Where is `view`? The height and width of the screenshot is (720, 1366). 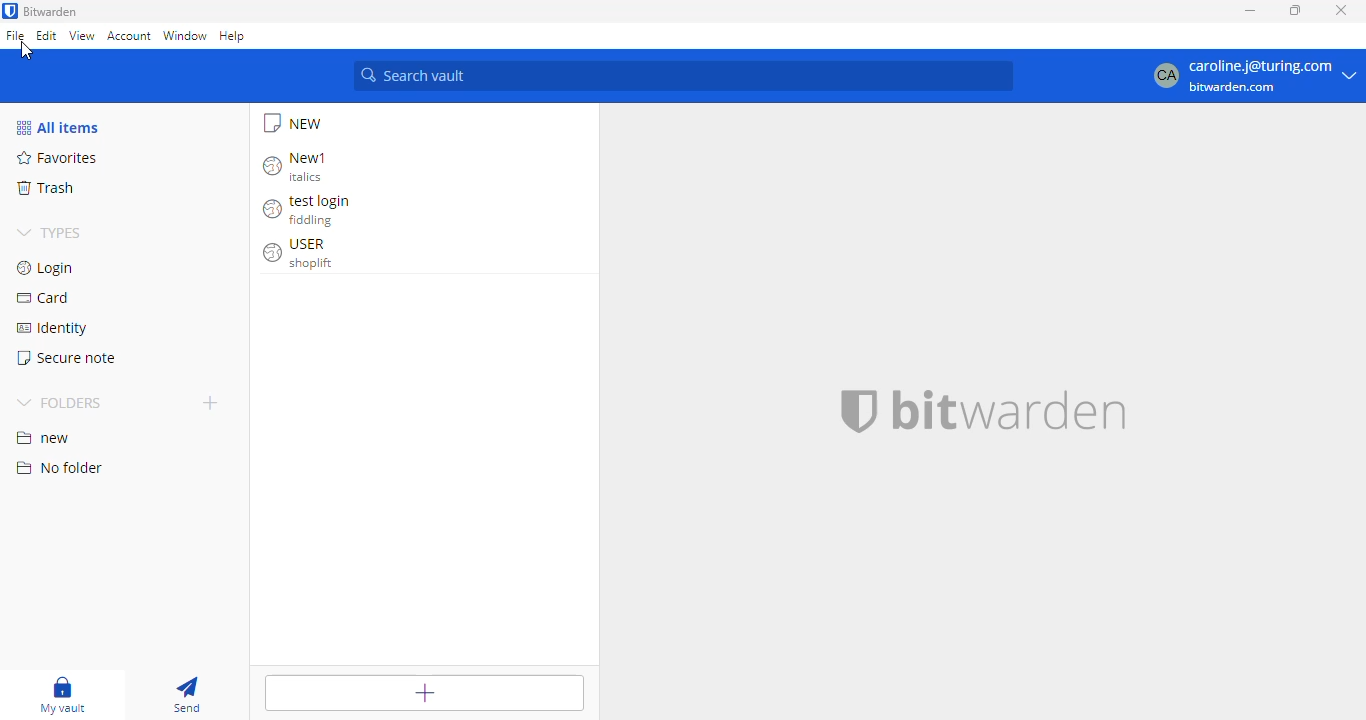 view is located at coordinates (83, 36).